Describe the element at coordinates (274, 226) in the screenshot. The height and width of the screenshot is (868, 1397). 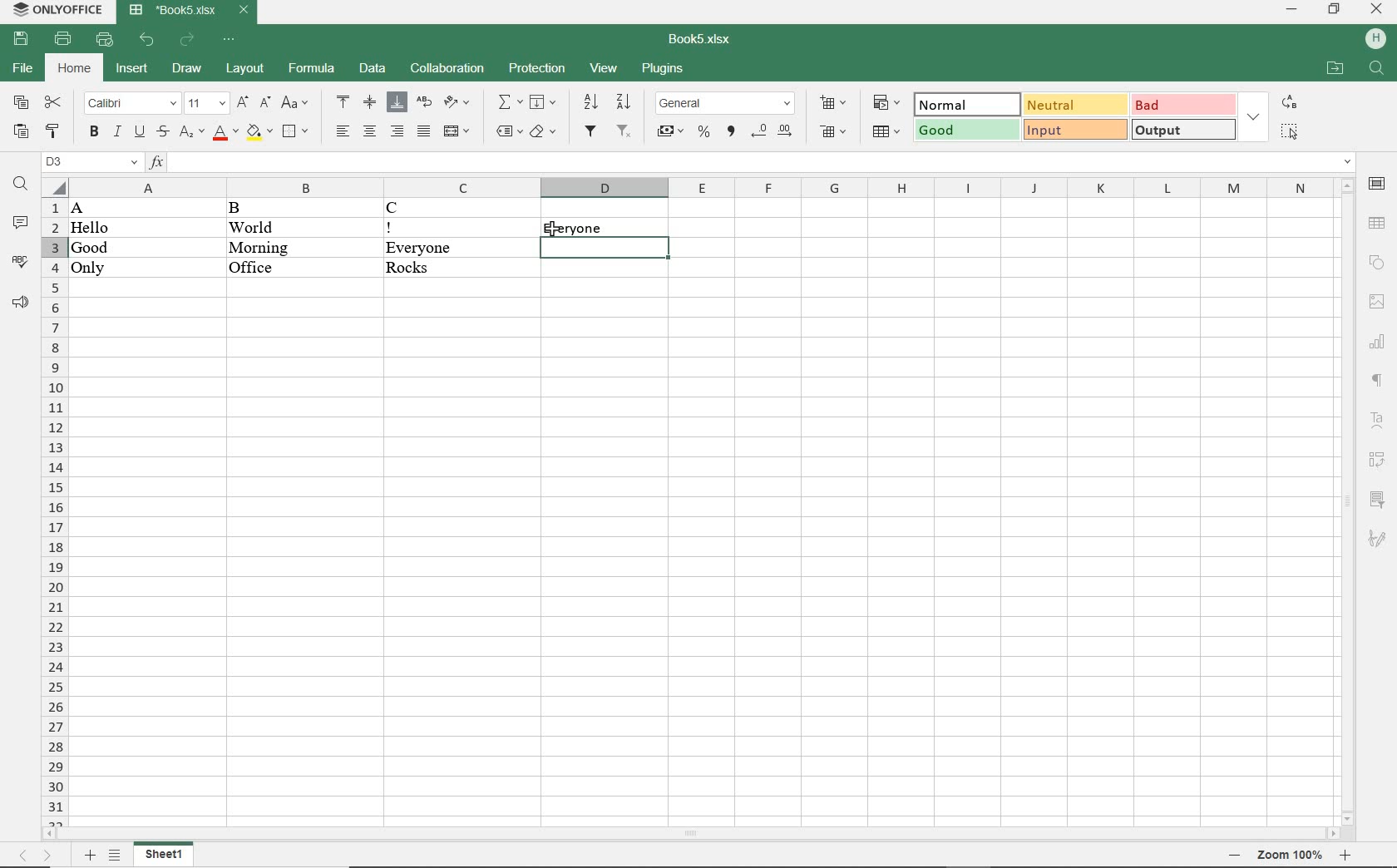
I see `World` at that location.